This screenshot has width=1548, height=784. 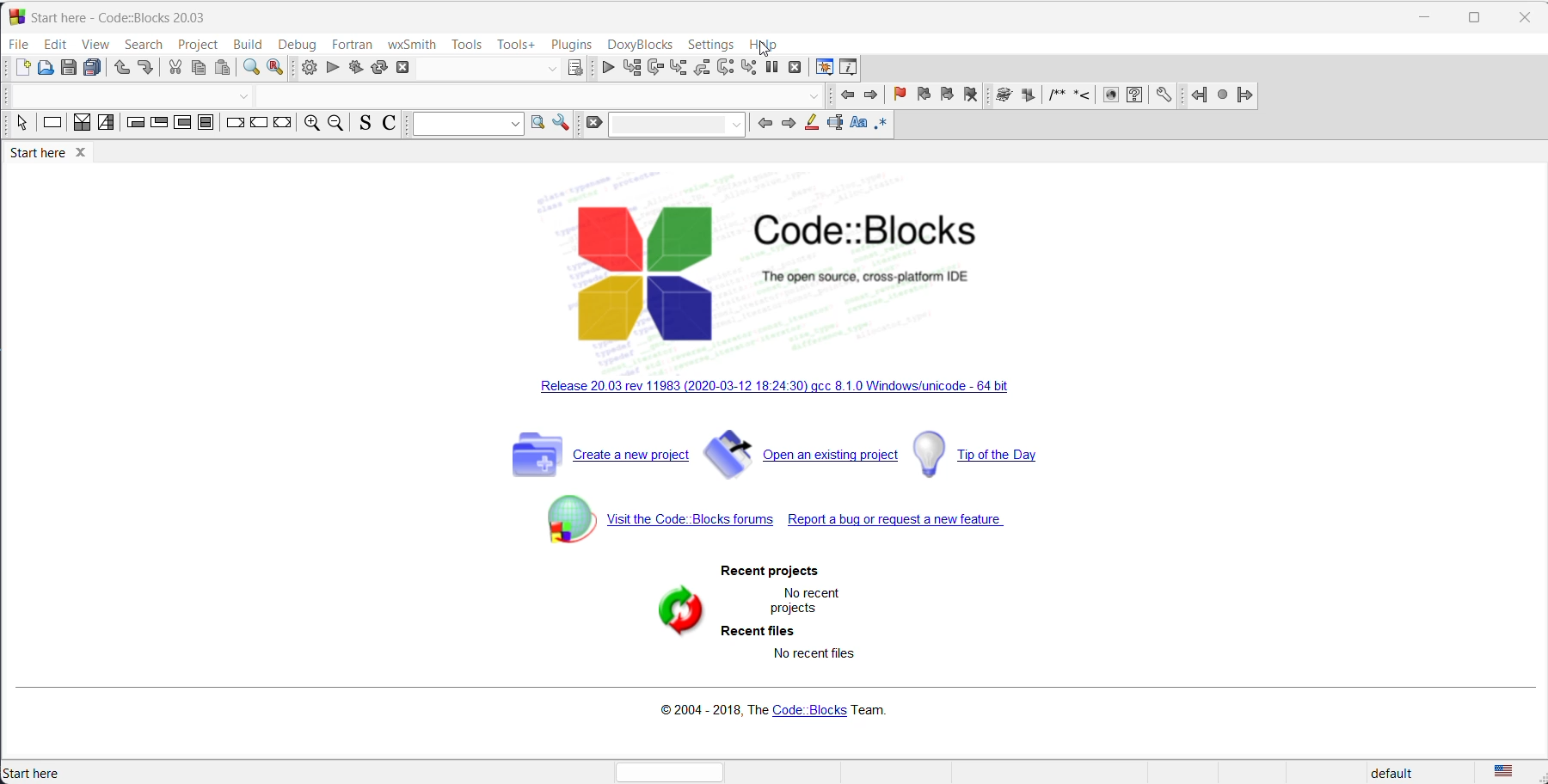 I want to click on HTML, so click(x=1112, y=97).